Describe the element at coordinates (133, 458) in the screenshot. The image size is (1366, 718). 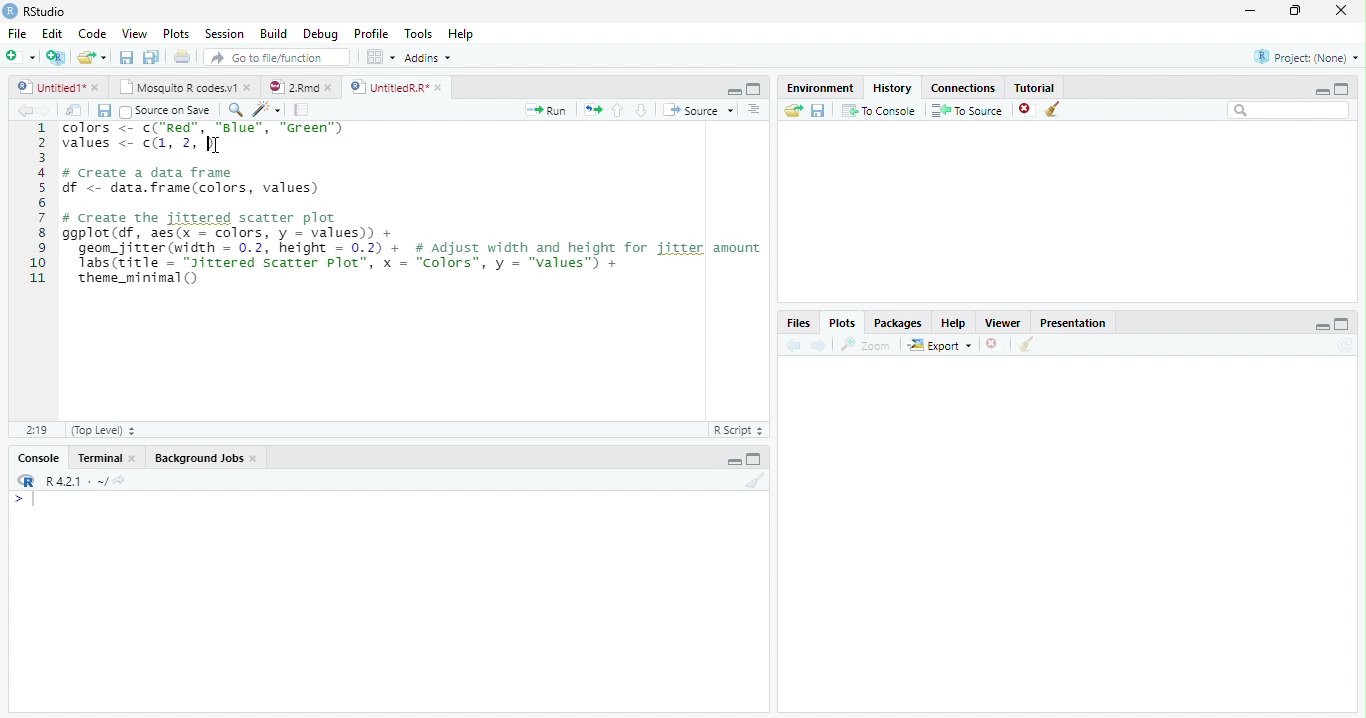
I see `close` at that location.